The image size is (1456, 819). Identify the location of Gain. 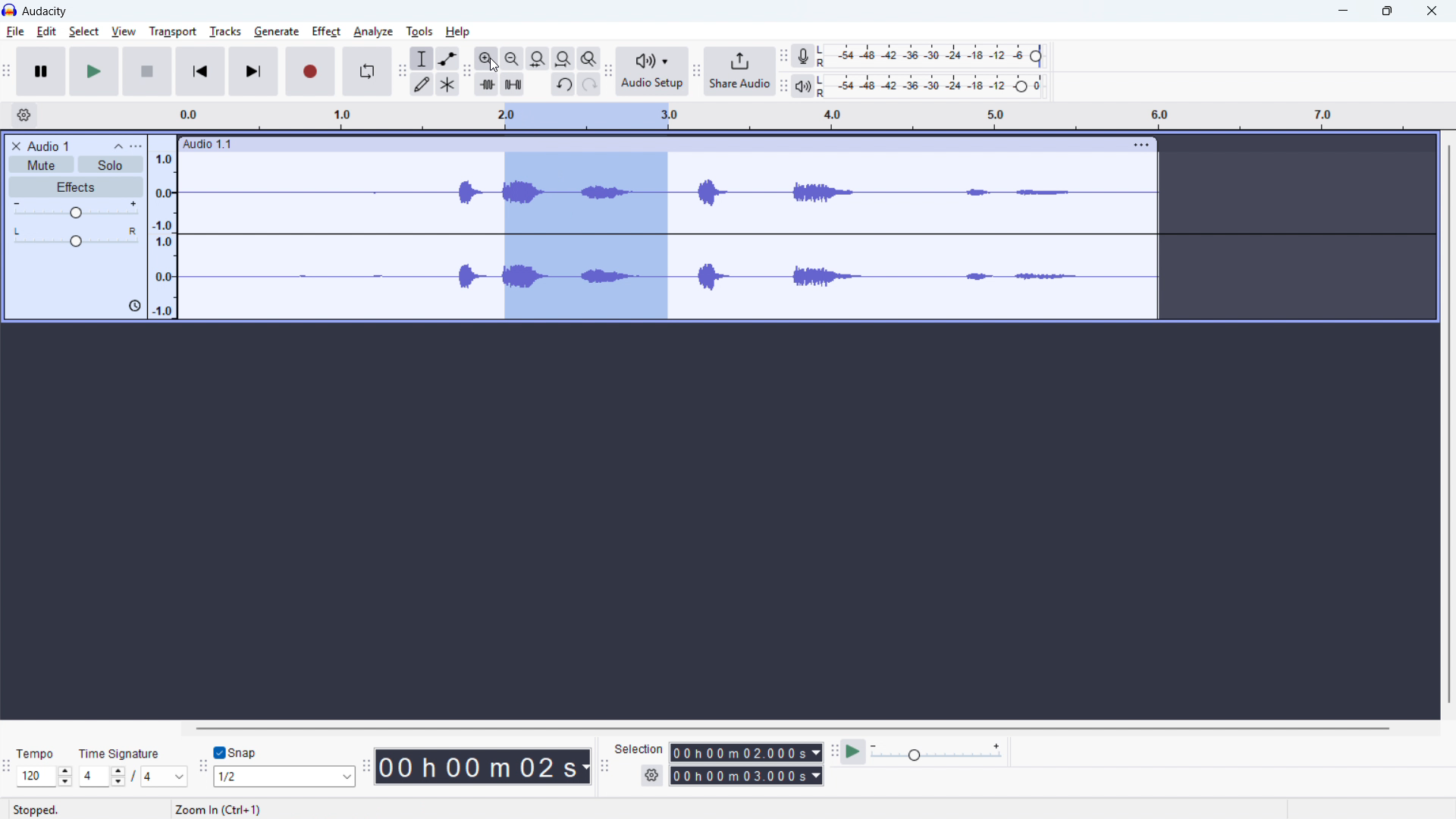
(76, 209).